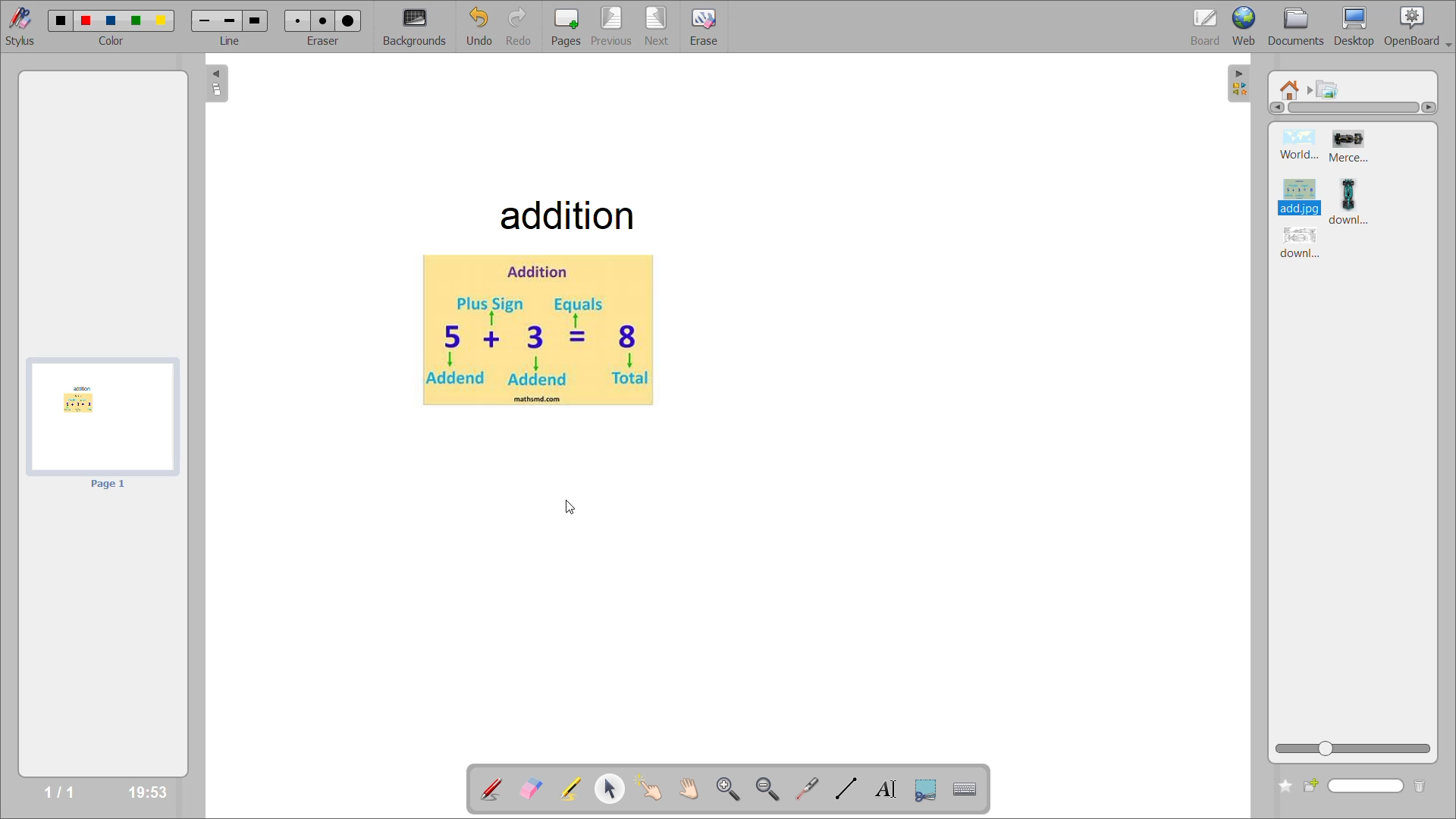 The width and height of the screenshot is (1456, 819). What do you see at coordinates (1302, 245) in the screenshot?
I see `image 5` at bounding box center [1302, 245].